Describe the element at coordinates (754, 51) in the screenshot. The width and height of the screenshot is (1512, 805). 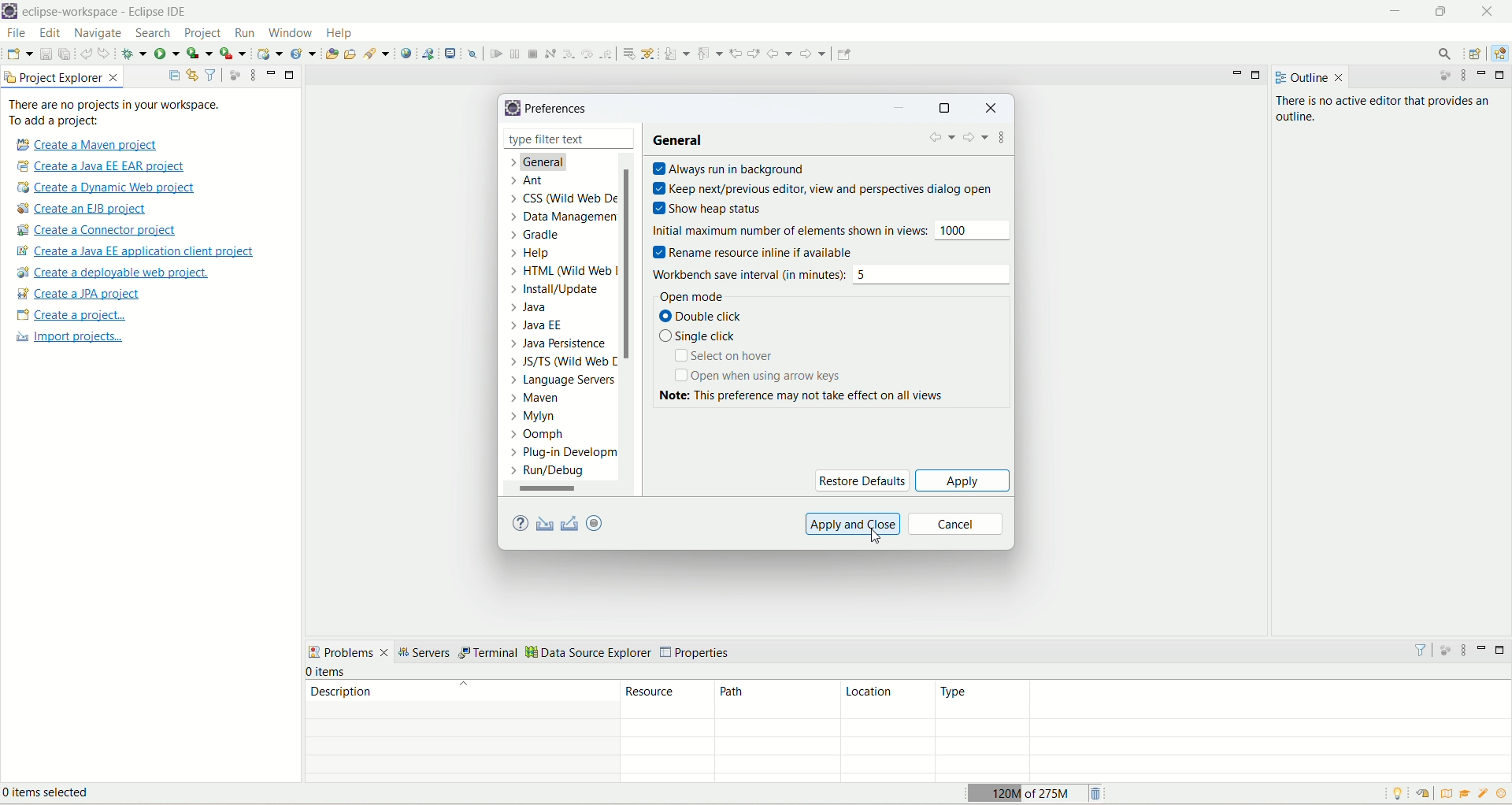
I see `next edit location` at that location.